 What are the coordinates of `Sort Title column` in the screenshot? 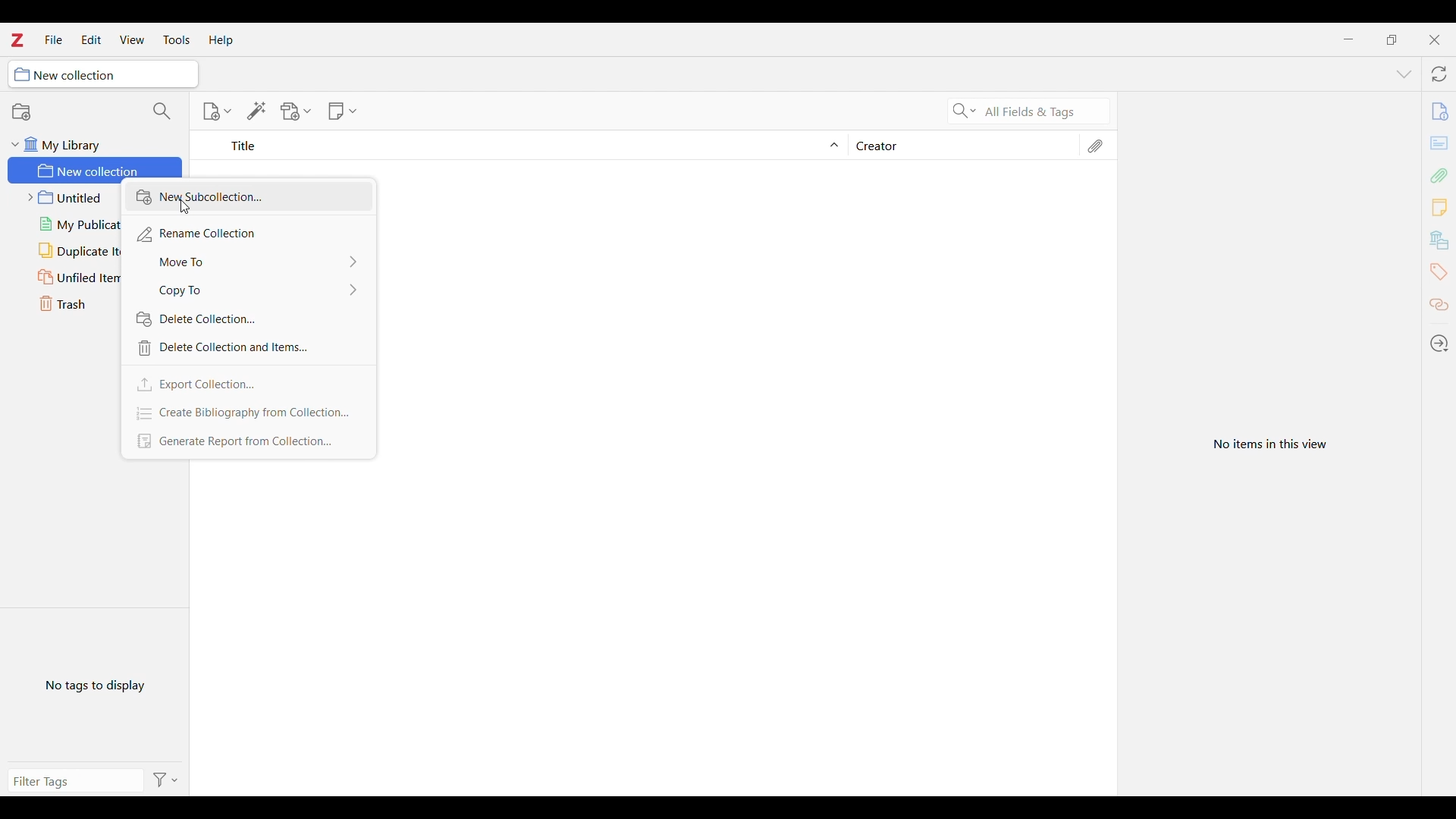 It's located at (529, 146).